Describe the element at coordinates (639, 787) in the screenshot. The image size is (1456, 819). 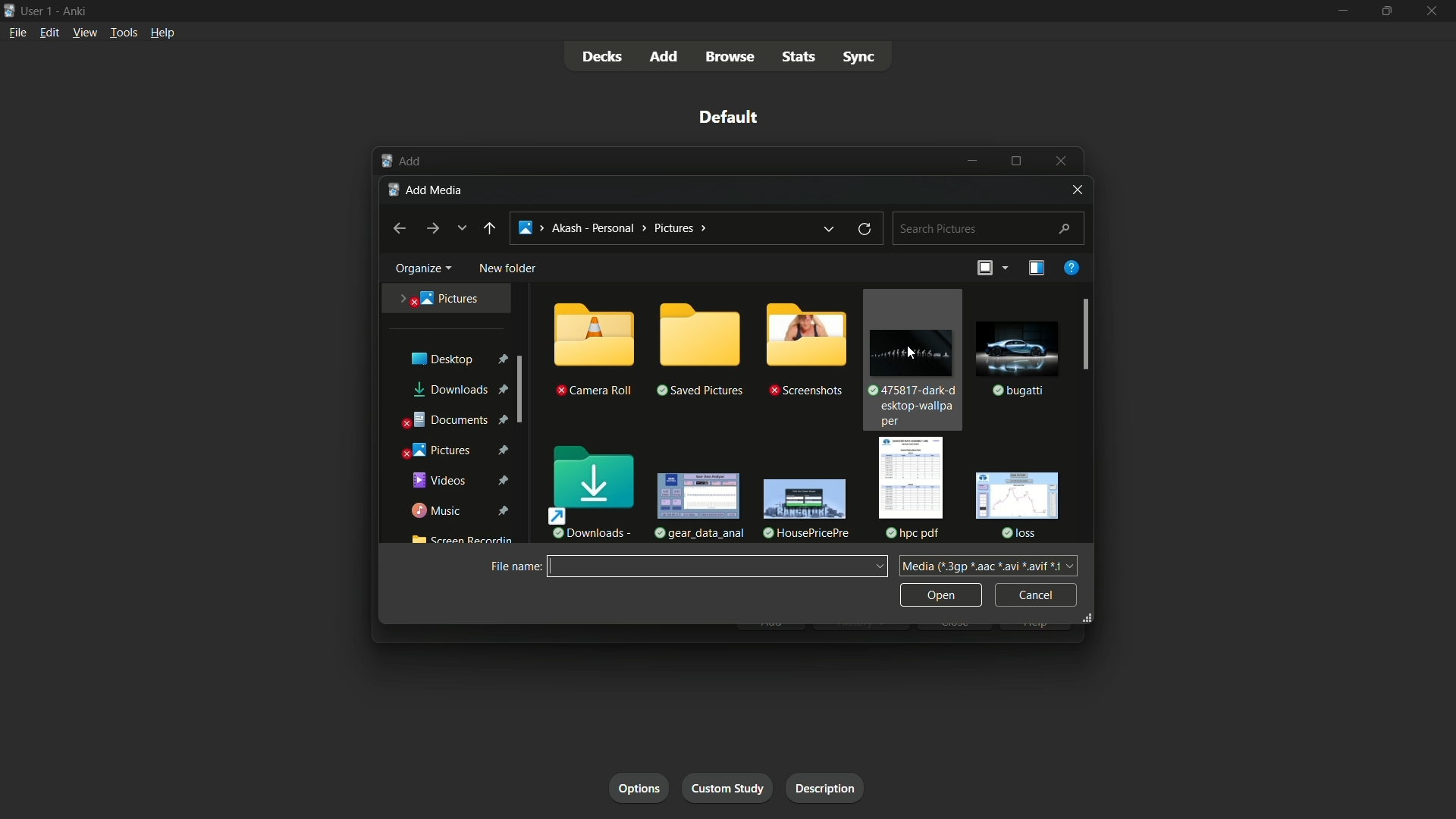
I see `options` at that location.